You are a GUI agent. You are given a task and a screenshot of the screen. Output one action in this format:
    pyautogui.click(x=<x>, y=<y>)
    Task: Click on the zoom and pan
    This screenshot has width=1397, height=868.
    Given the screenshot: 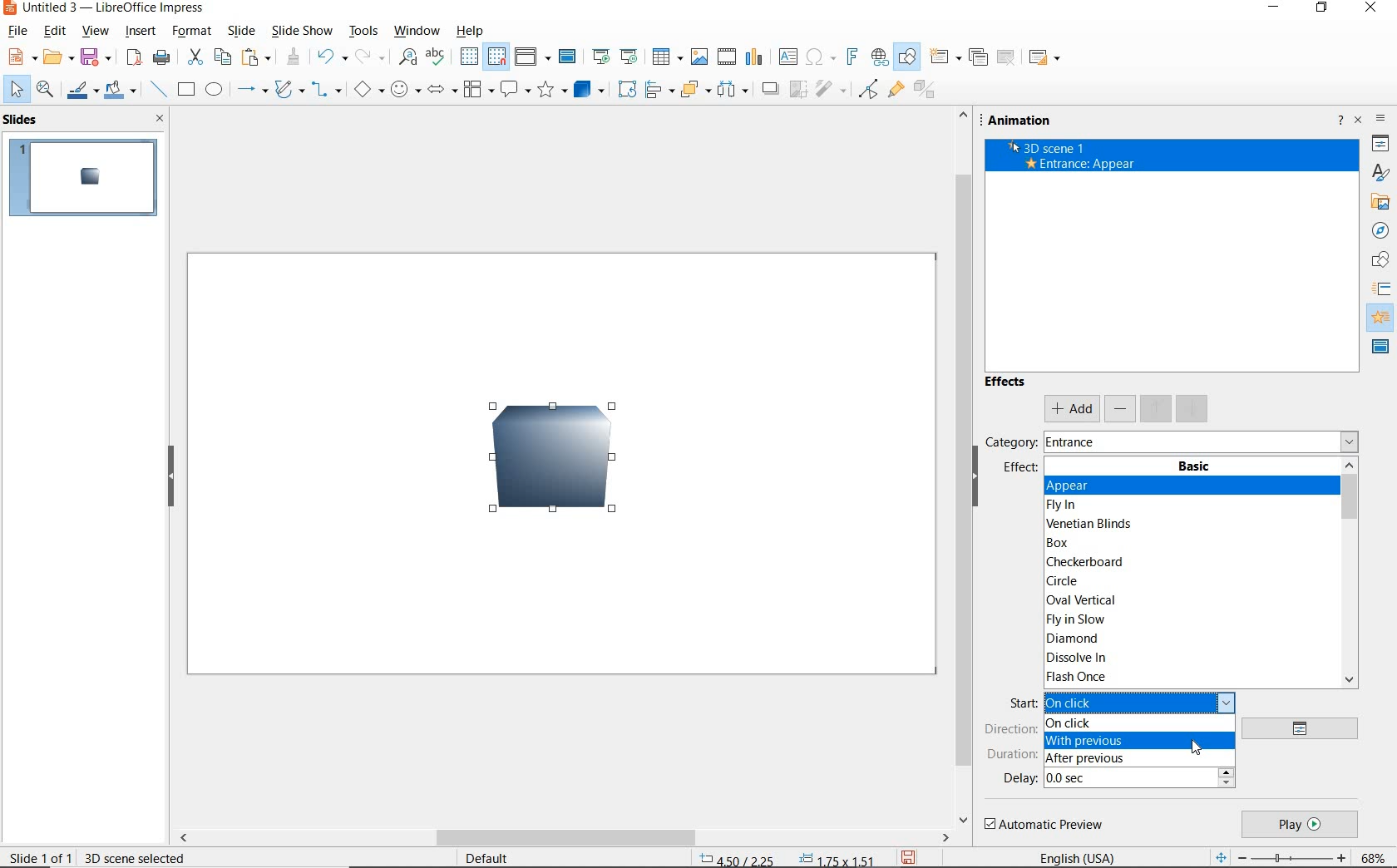 What is the action you would take?
    pyautogui.click(x=45, y=91)
    